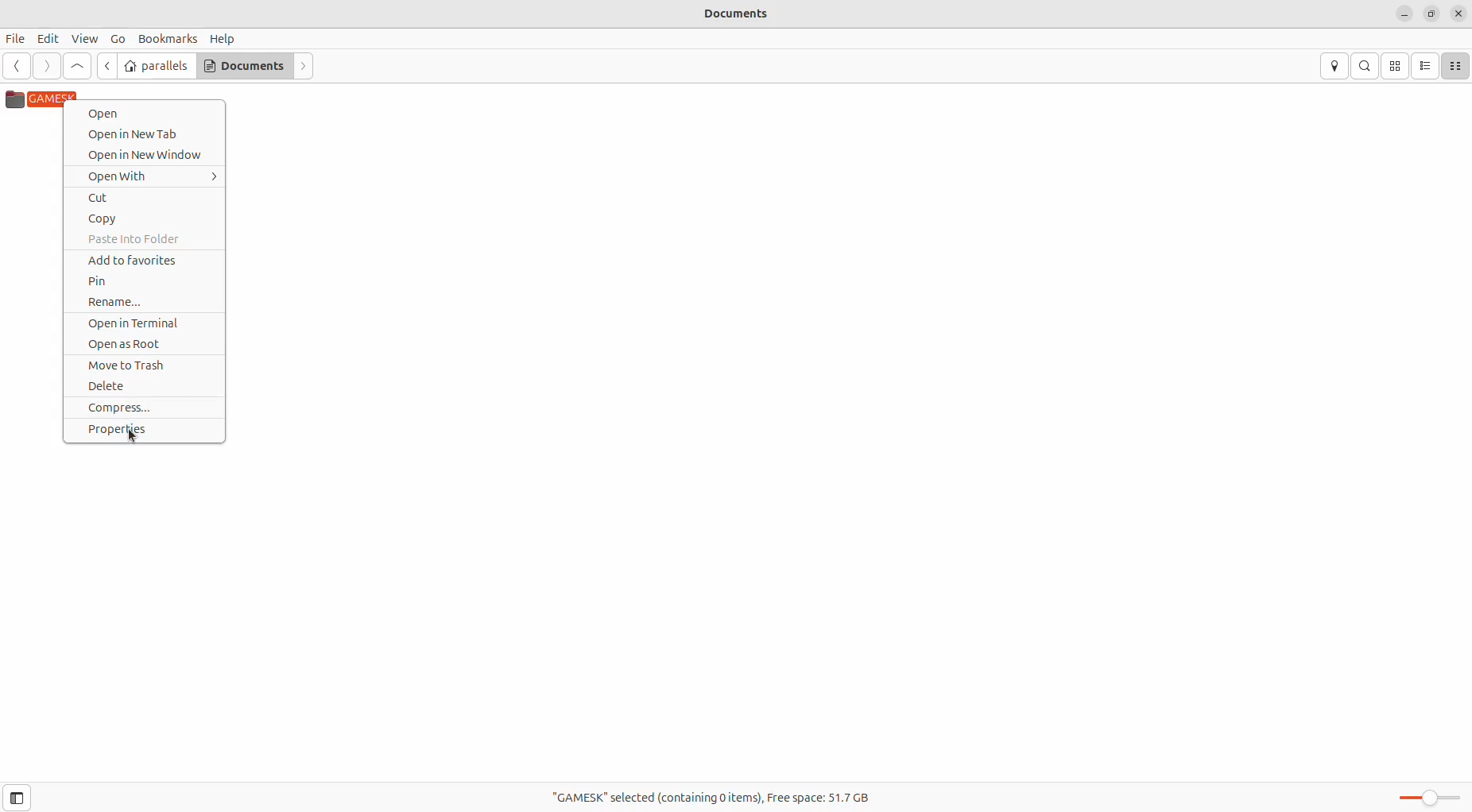 This screenshot has height=812, width=1472. I want to click on Zoom, so click(1420, 798).